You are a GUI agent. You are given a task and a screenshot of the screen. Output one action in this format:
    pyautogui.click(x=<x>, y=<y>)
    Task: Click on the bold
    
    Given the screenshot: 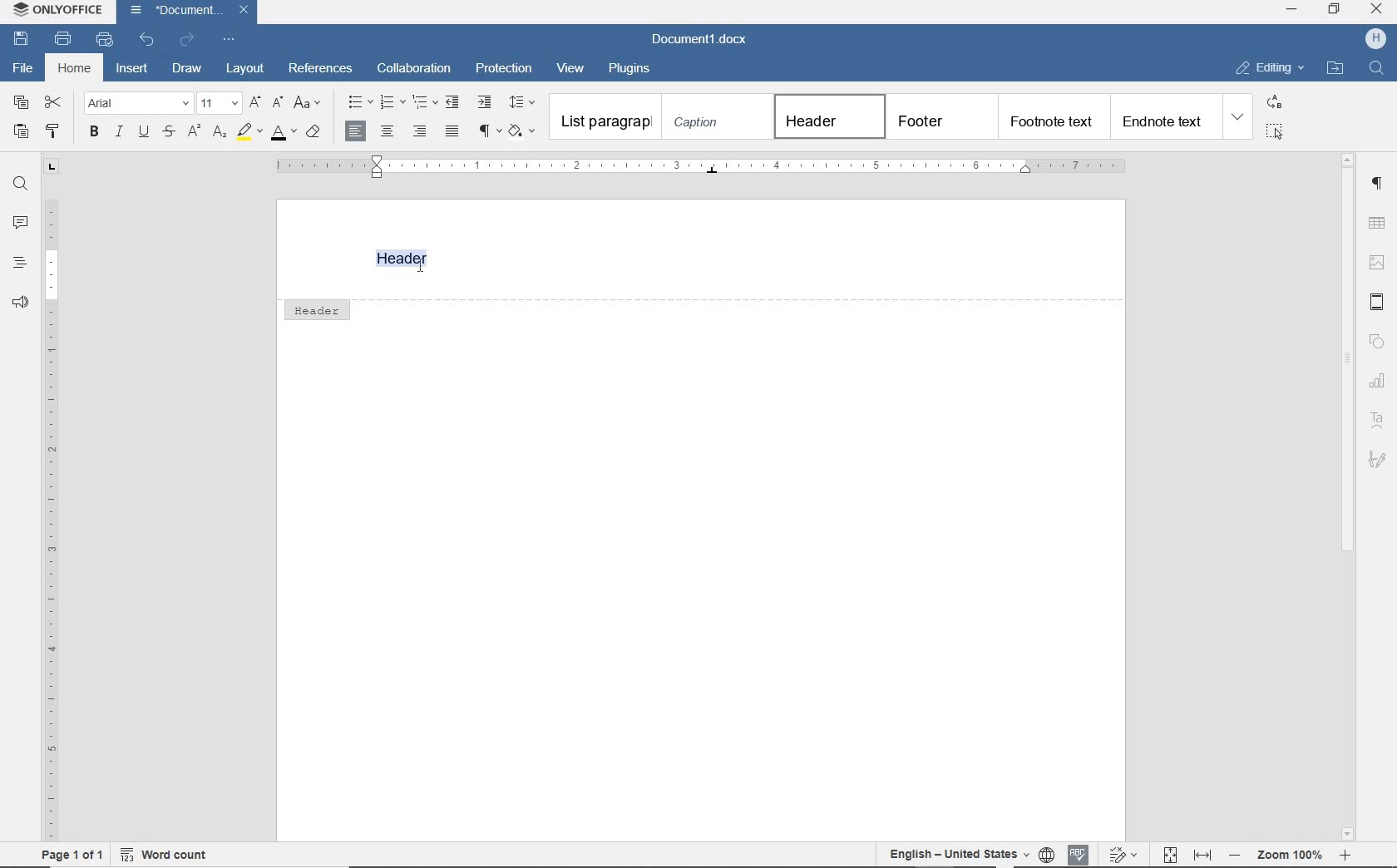 What is the action you would take?
    pyautogui.click(x=94, y=132)
    